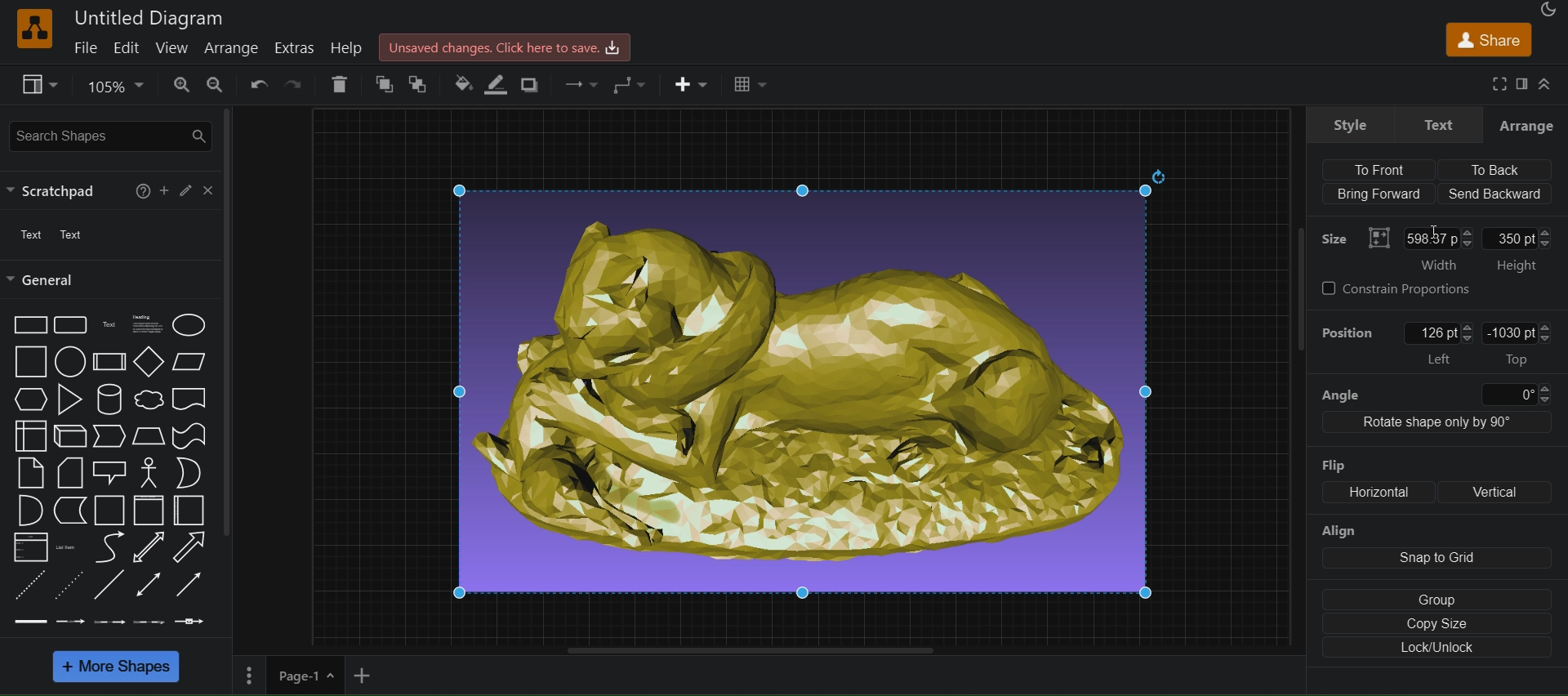 The height and width of the screenshot is (696, 1568). Describe the element at coordinates (162, 190) in the screenshot. I see `Add` at that location.